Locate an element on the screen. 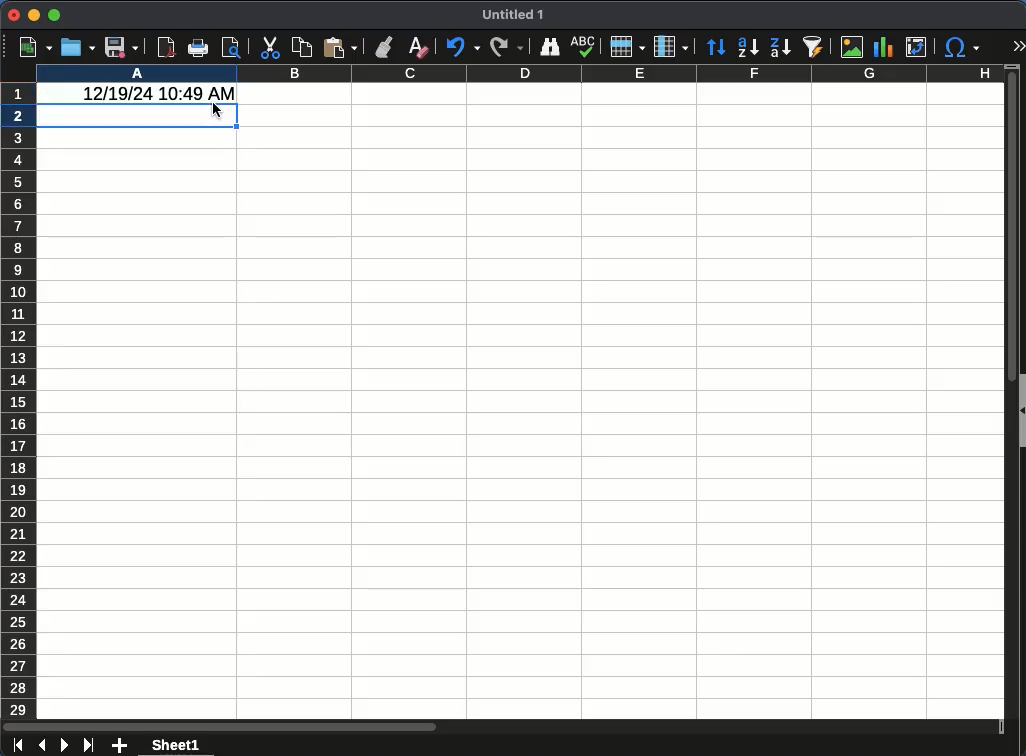 The image size is (1026, 756). spell check is located at coordinates (584, 47).